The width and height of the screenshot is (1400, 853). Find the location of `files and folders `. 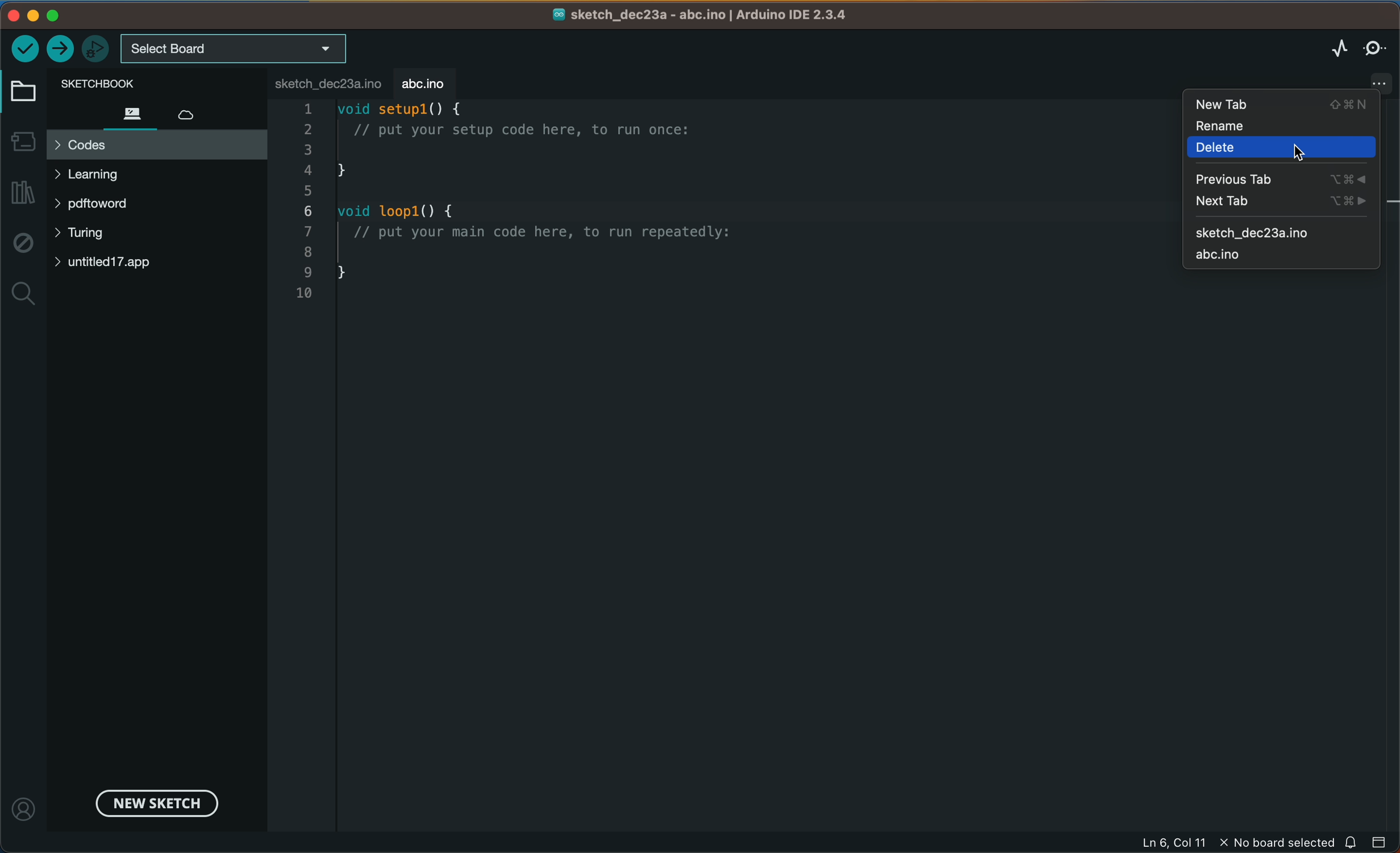

files and folders  is located at coordinates (156, 220).